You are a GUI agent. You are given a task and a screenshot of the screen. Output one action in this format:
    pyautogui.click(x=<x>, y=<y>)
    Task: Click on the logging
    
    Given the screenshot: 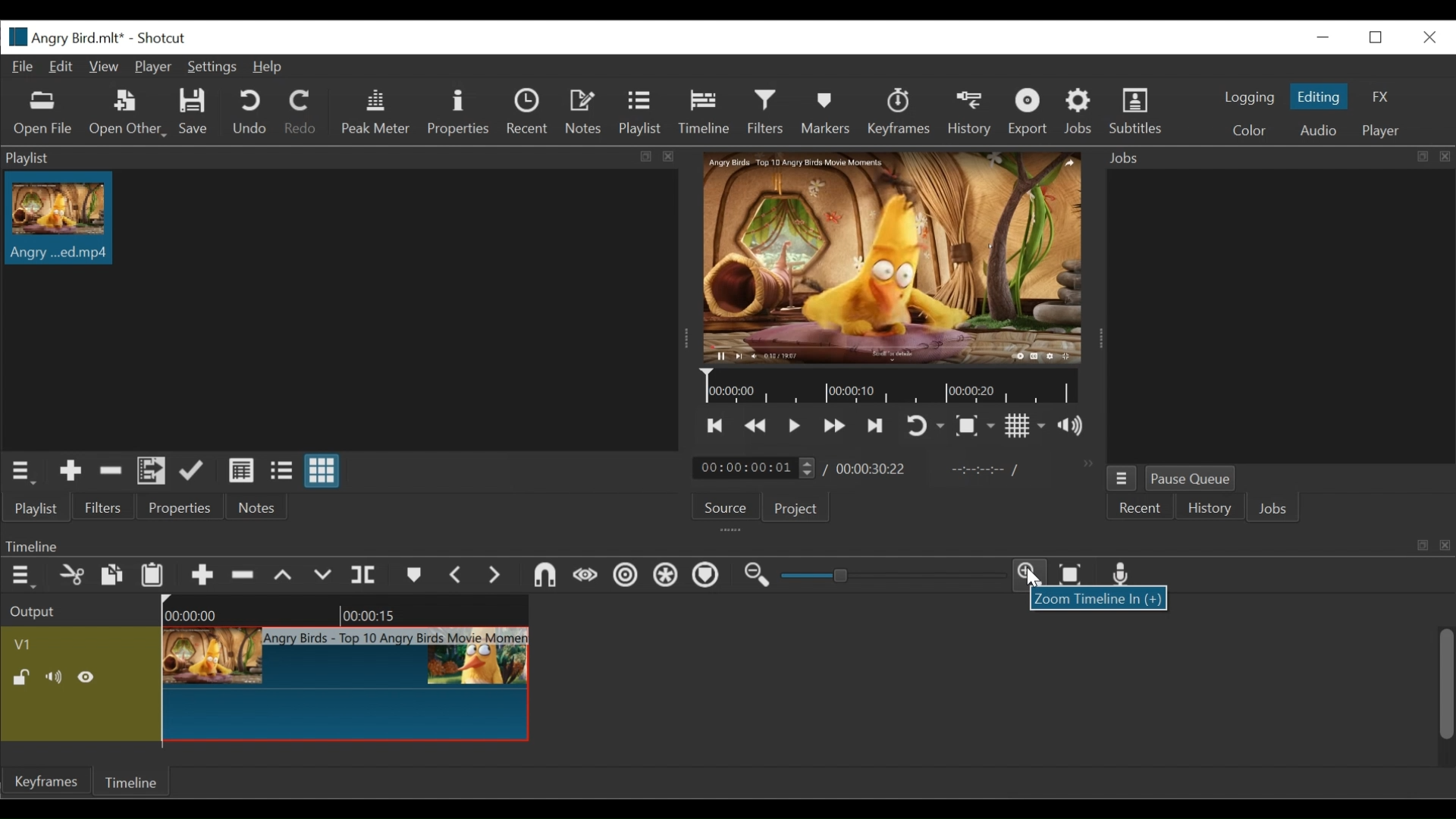 What is the action you would take?
    pyautogui.click(x=1247, y=99)
    